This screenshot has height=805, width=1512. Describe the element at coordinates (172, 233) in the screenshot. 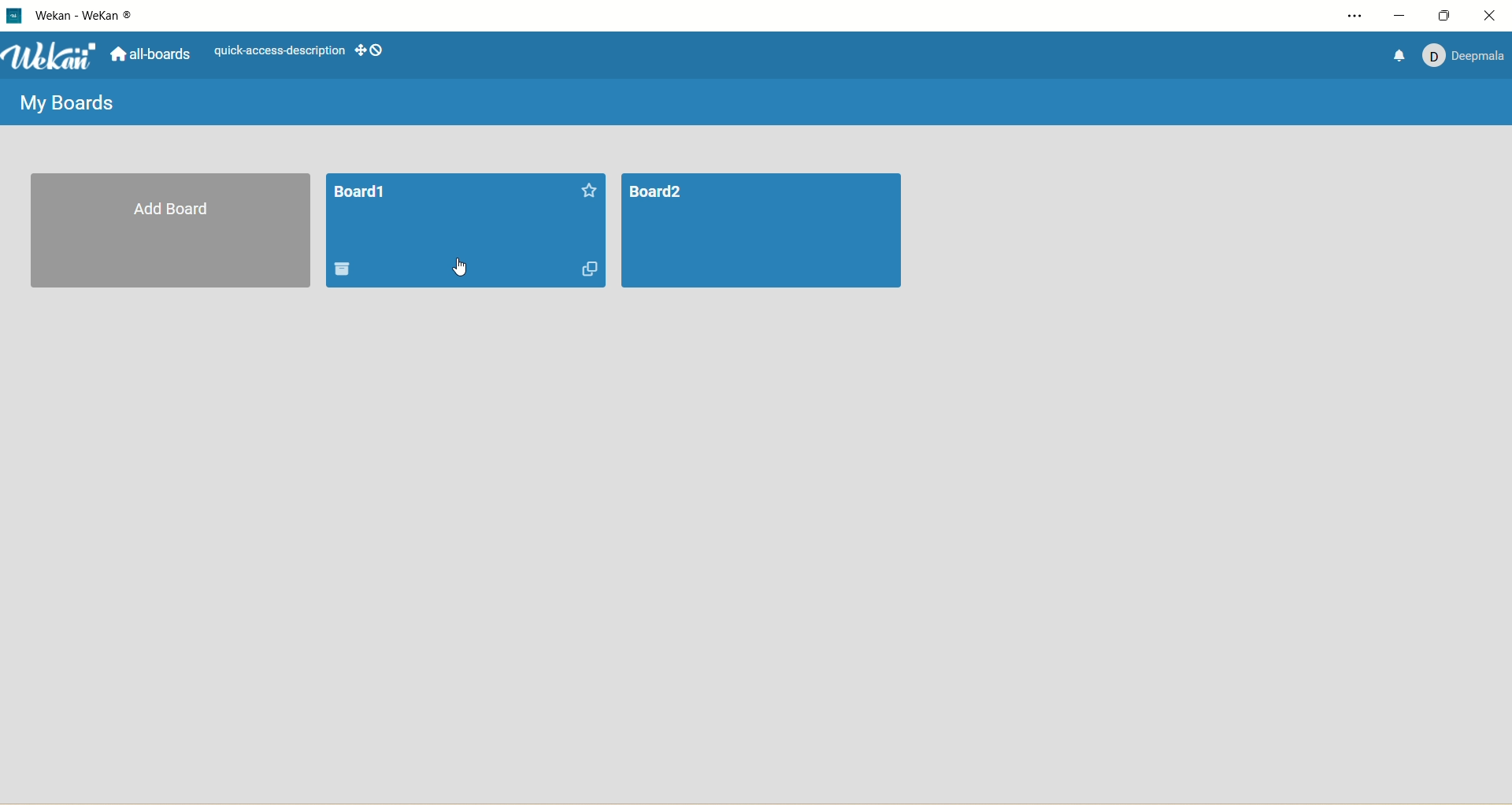

I see `add board` at that location.